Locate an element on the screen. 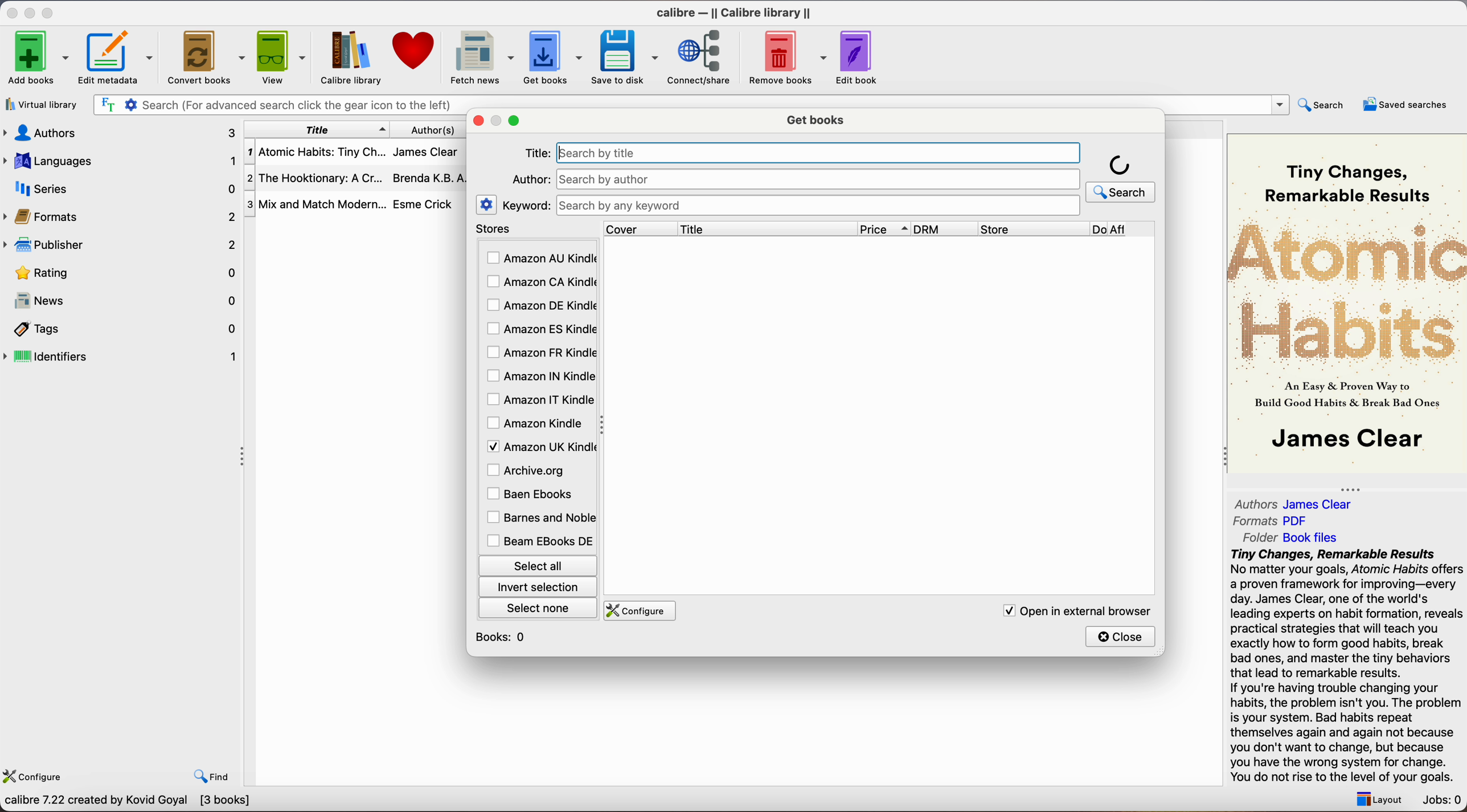  baen ebooks is located at coordinates (532, 495).